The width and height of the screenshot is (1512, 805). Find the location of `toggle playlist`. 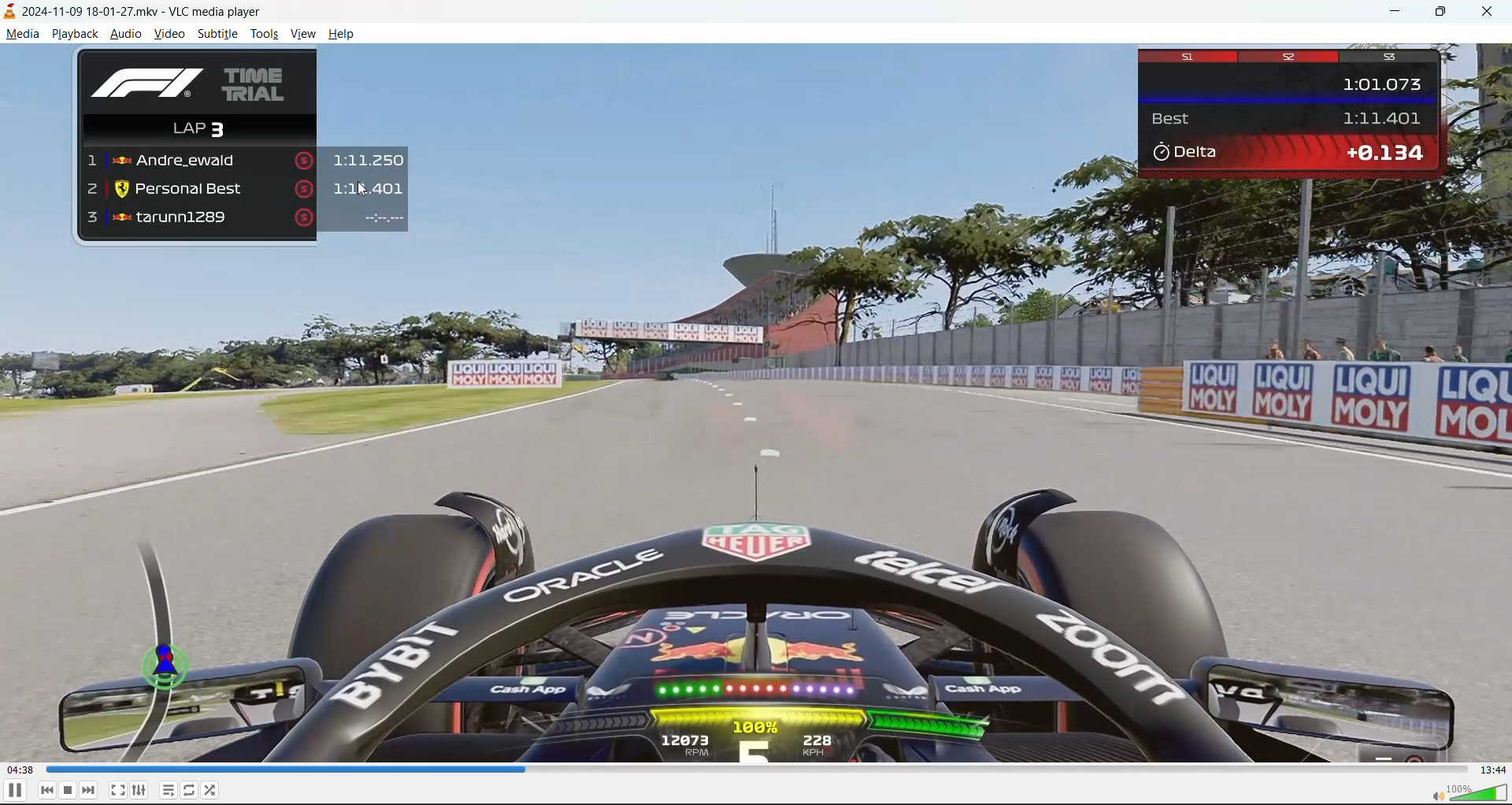

toggle playlist is located at coordinates (166, 789).